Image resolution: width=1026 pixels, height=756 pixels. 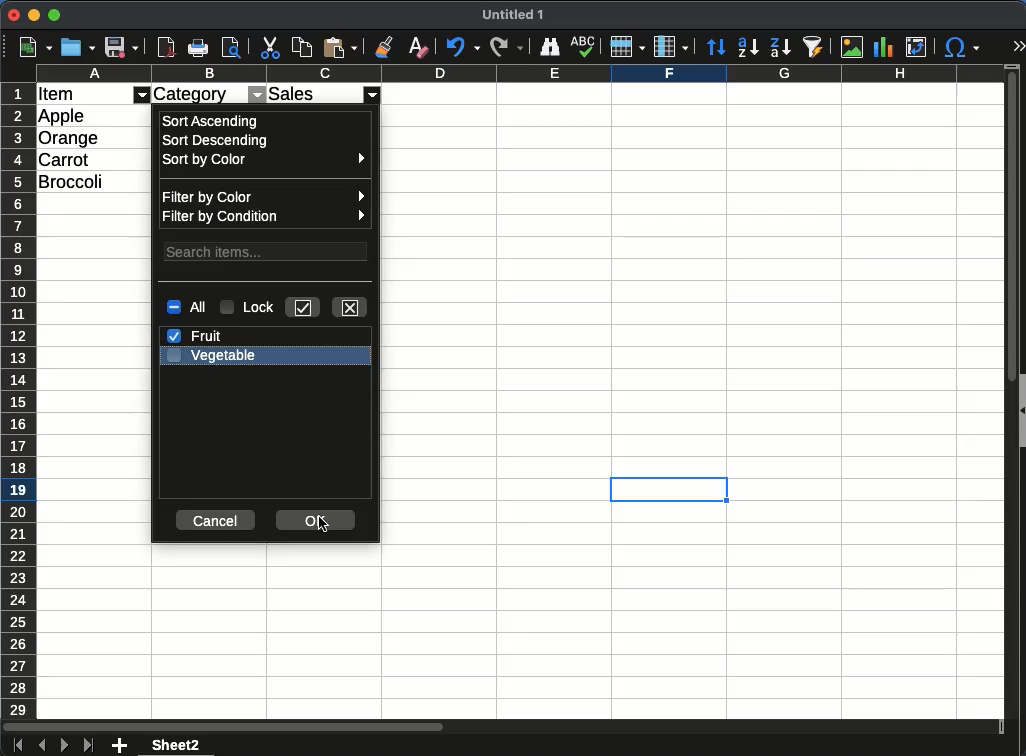 I want to click on spelling, so click(x=584, y=47).